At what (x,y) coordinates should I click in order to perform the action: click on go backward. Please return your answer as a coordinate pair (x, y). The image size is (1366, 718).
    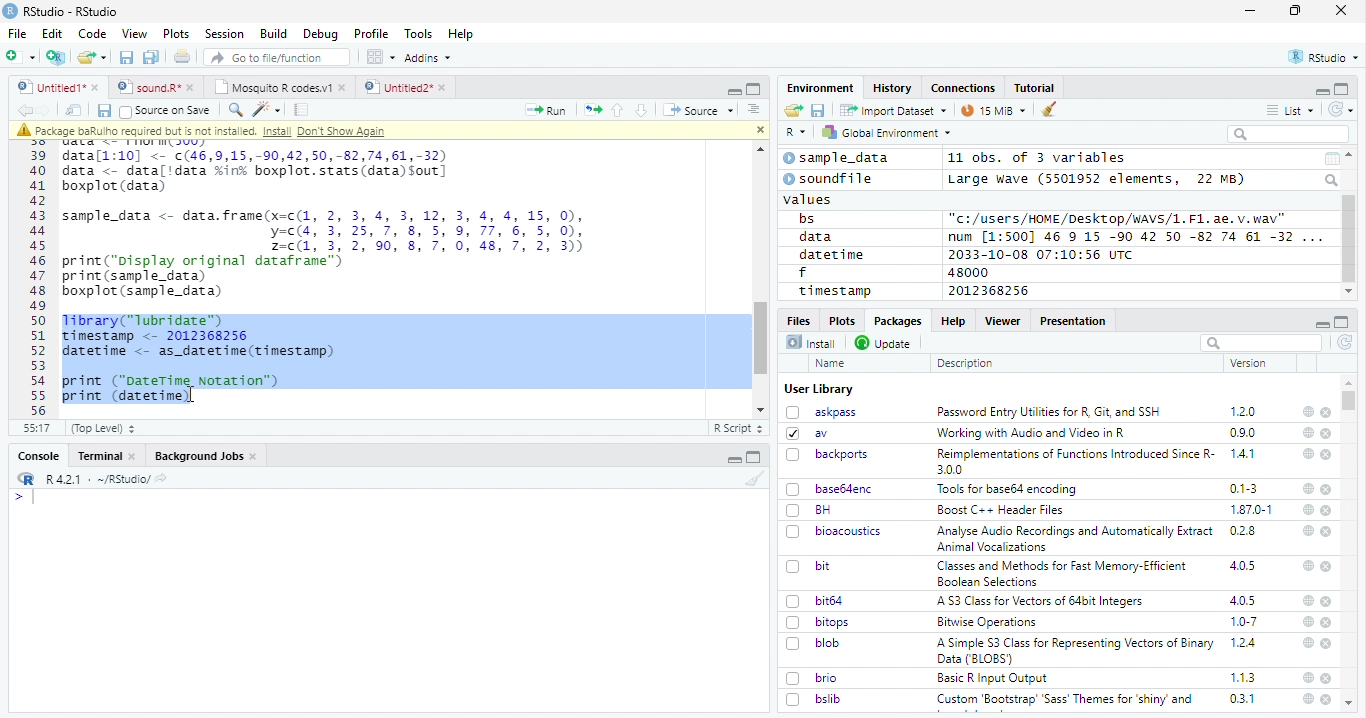
    Looking at the image, I should click on (25, 109).